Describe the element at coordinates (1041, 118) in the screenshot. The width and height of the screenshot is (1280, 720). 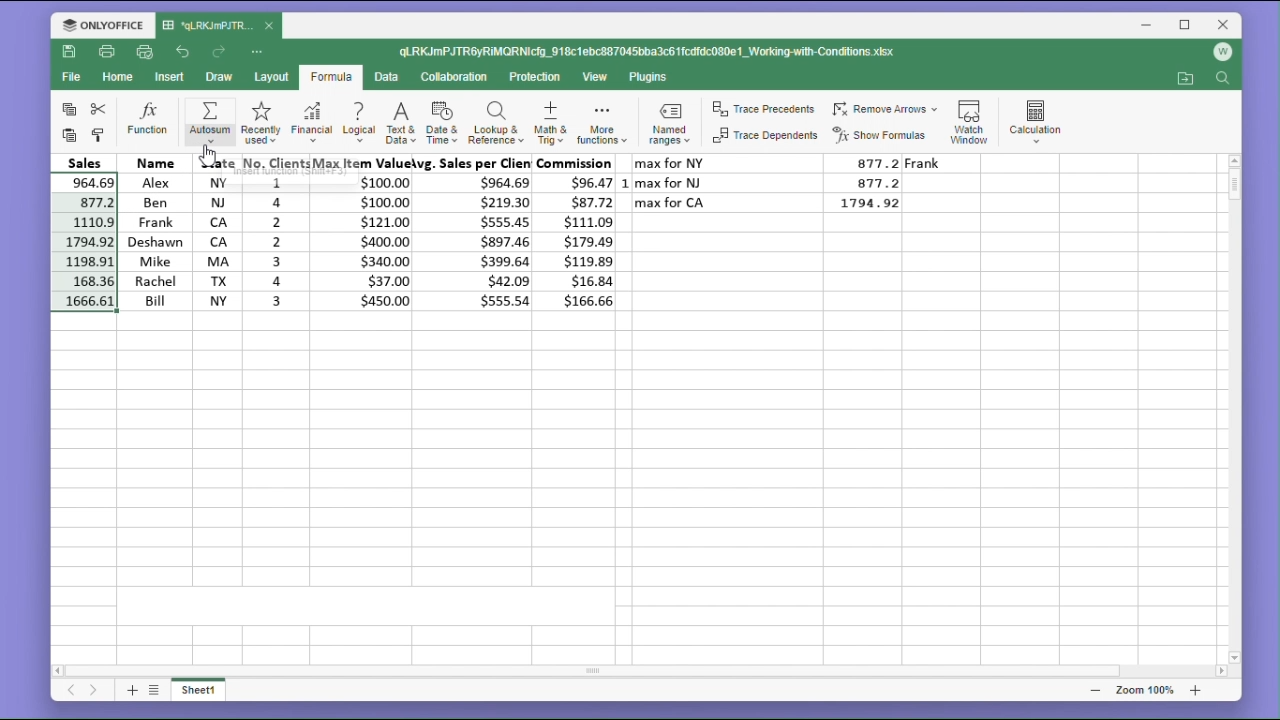
I see `calculation` at that location.